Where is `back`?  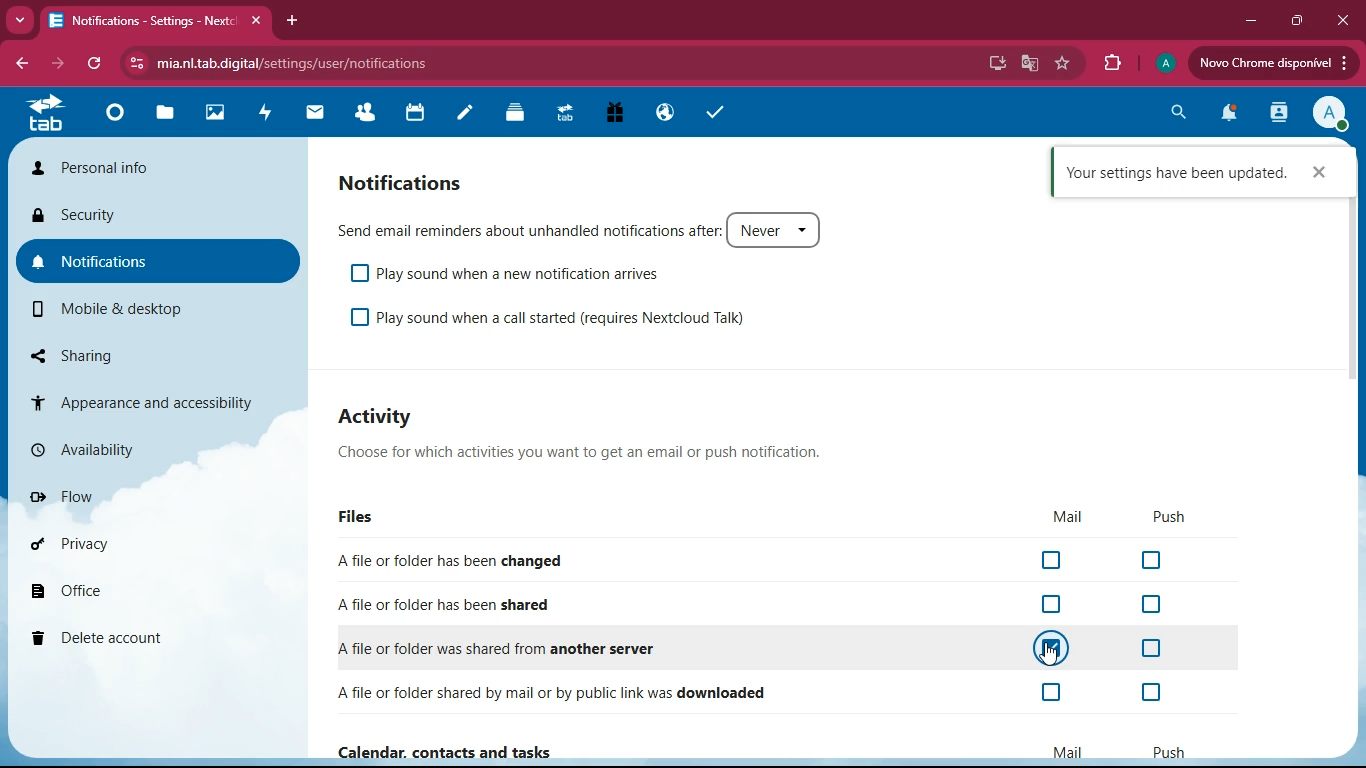 back is located at coordinates (21, 65).